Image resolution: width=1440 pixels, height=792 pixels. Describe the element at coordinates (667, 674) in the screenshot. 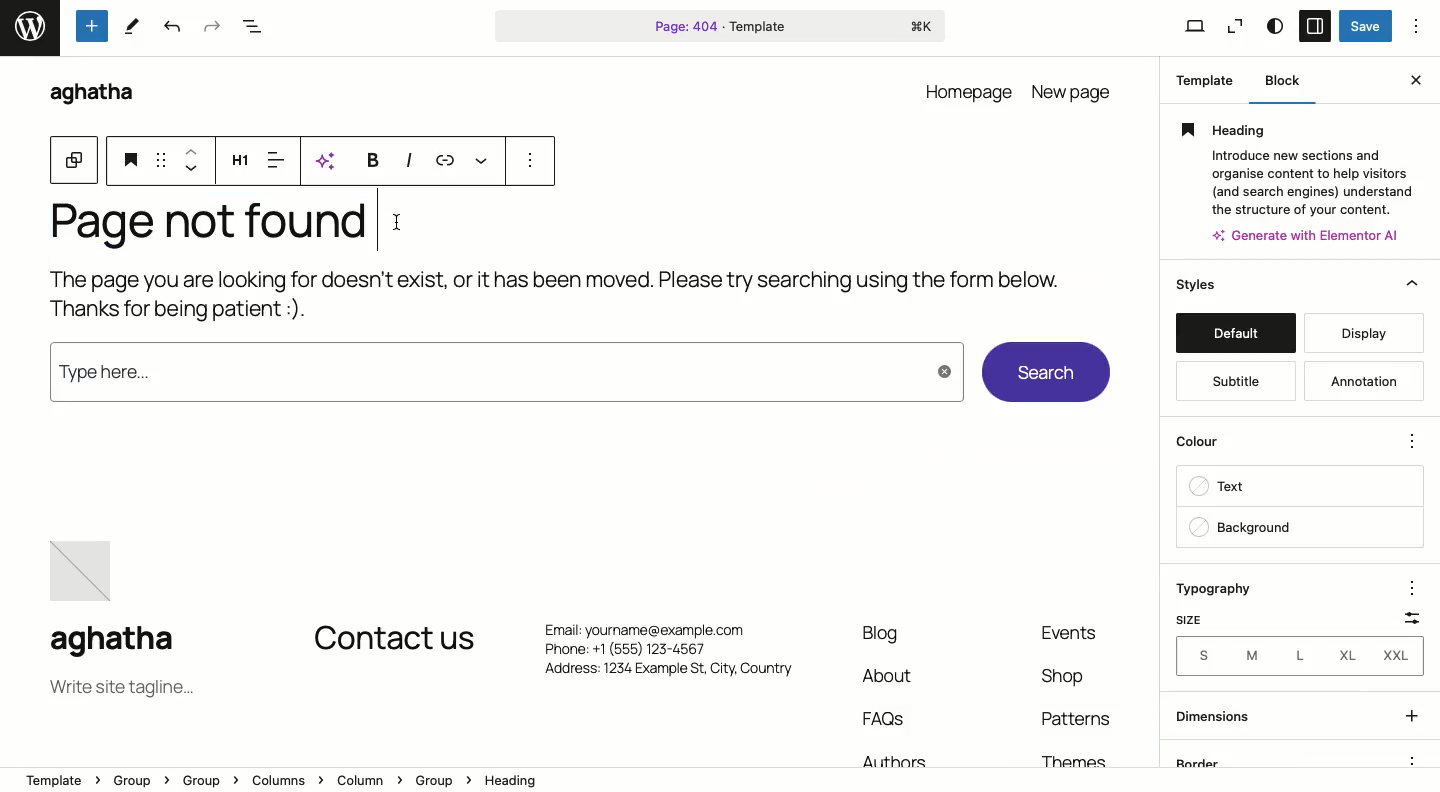

I see `Address: 1234 Example St, City. Country` at that location.